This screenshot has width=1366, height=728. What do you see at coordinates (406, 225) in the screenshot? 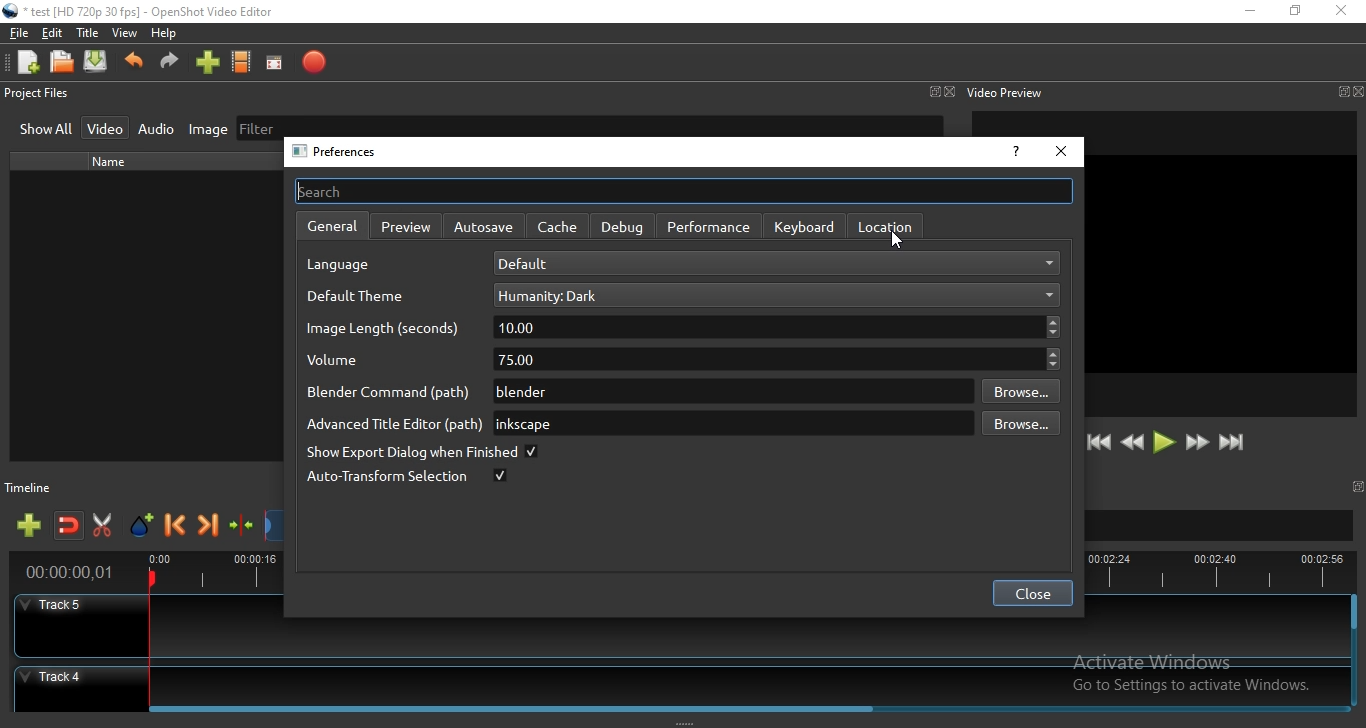
I see `preview` at bounding box center [406, 225].